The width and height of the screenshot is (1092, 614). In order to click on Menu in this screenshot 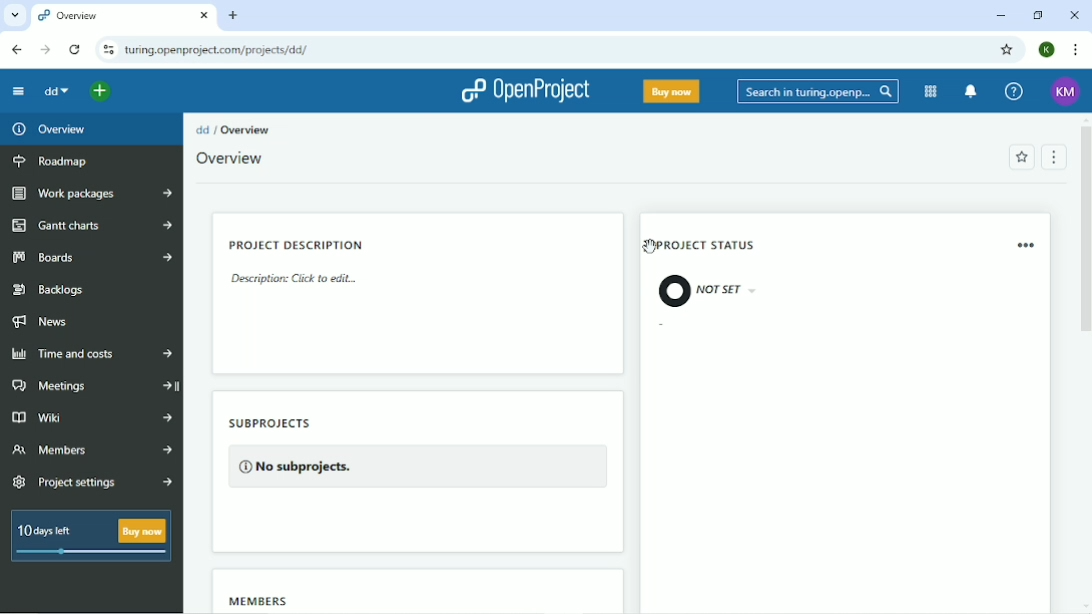, I will do `click(1053, 156)`.